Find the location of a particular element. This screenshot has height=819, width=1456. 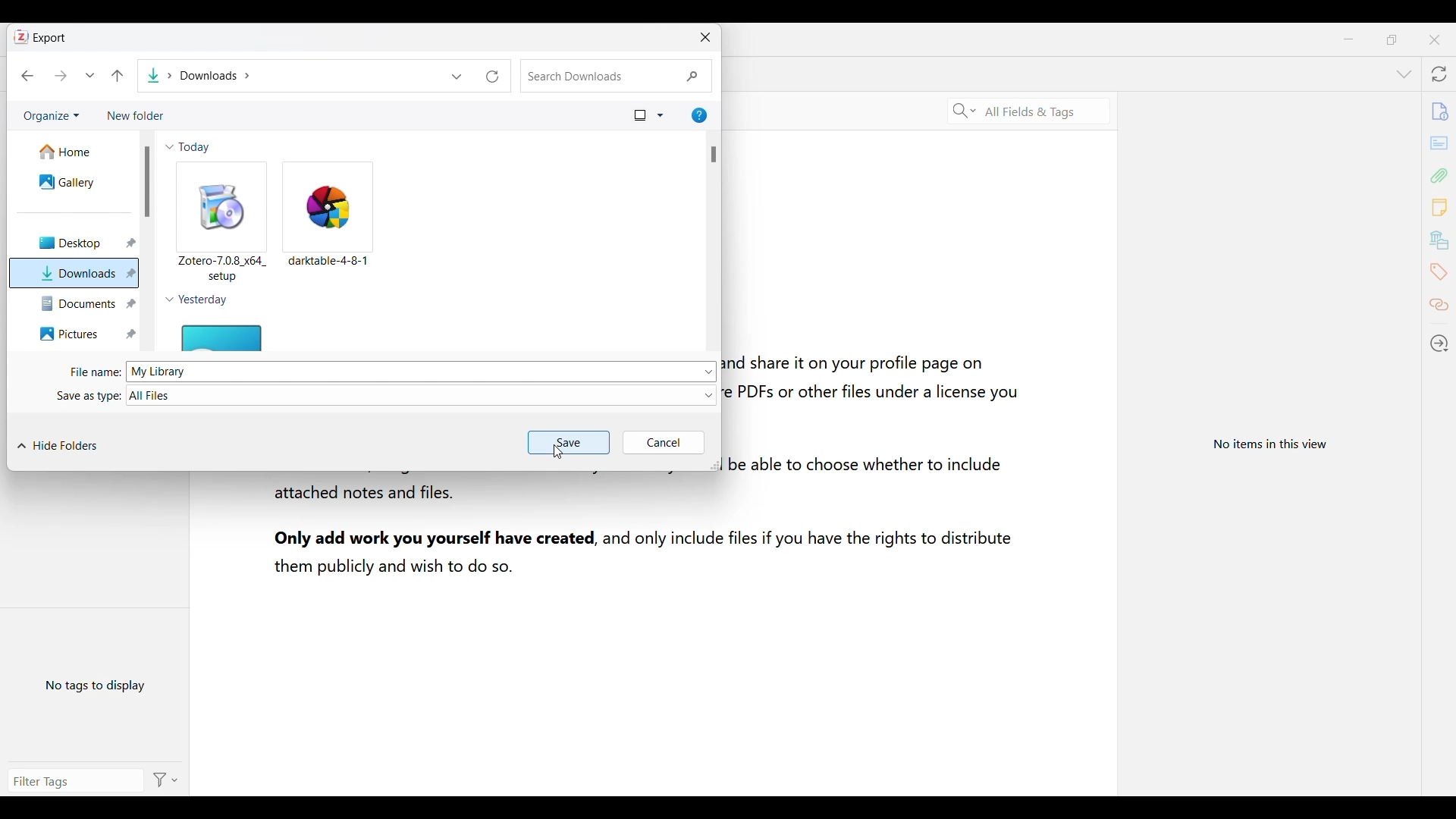

Related is located at coordinates (1439, 306).